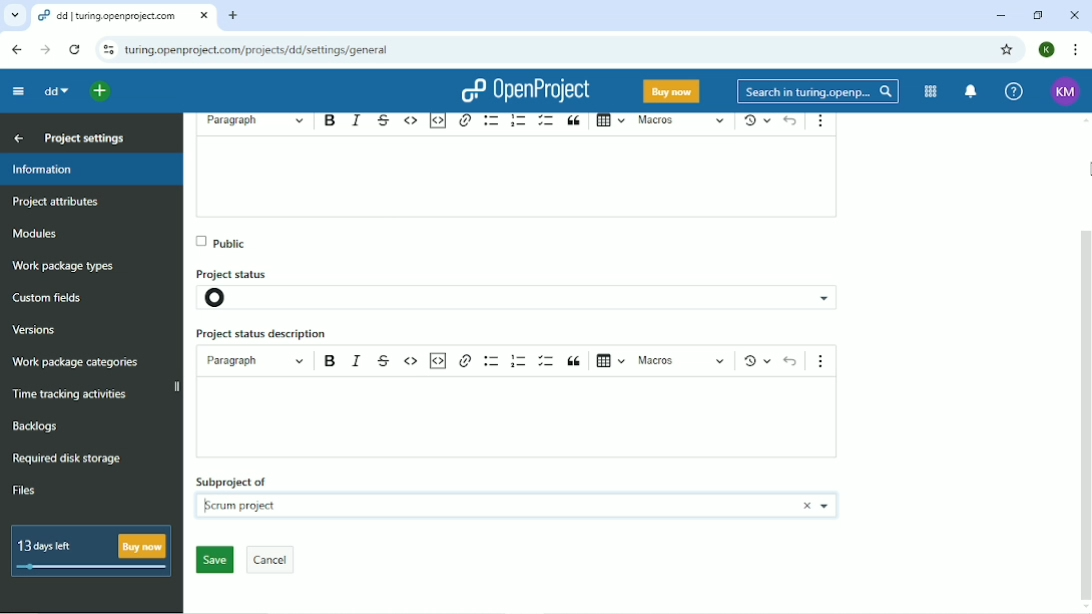 Image resolution: width=1092 pixels, height=614 pixels. I want to click on Public, so click(223, 241).